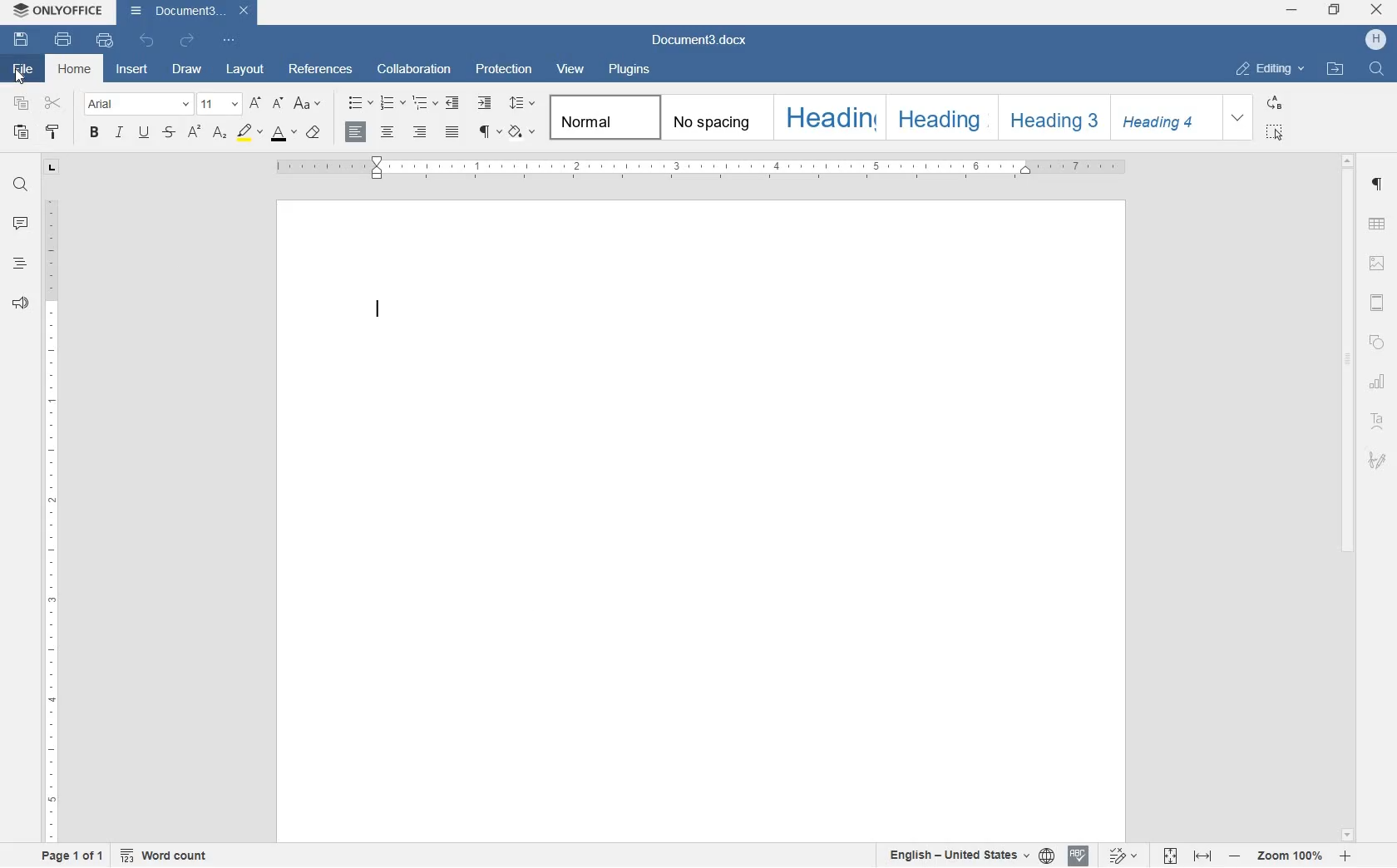  What do you see at coordinates (1376, 183) in the screenshot?
I see `paragraph settings` at bounding box center [1376, 183].